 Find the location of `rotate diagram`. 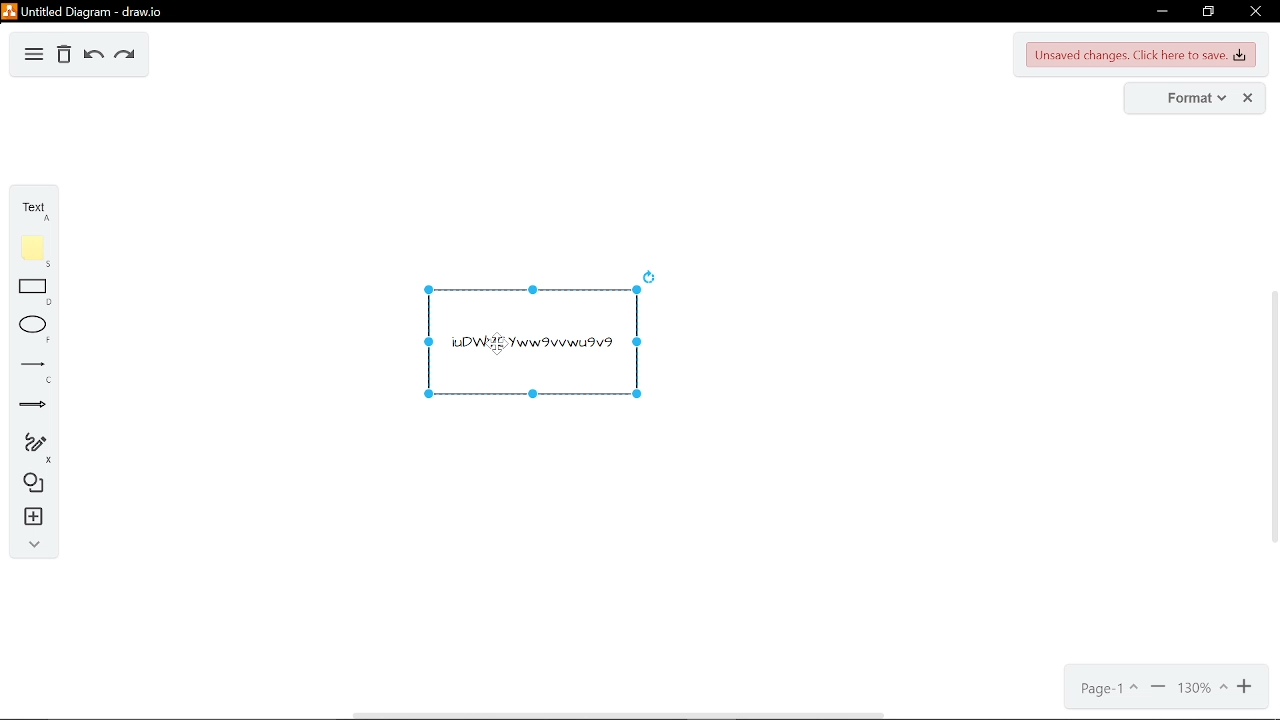

rotate diagram is located at coordinates (651, 276).